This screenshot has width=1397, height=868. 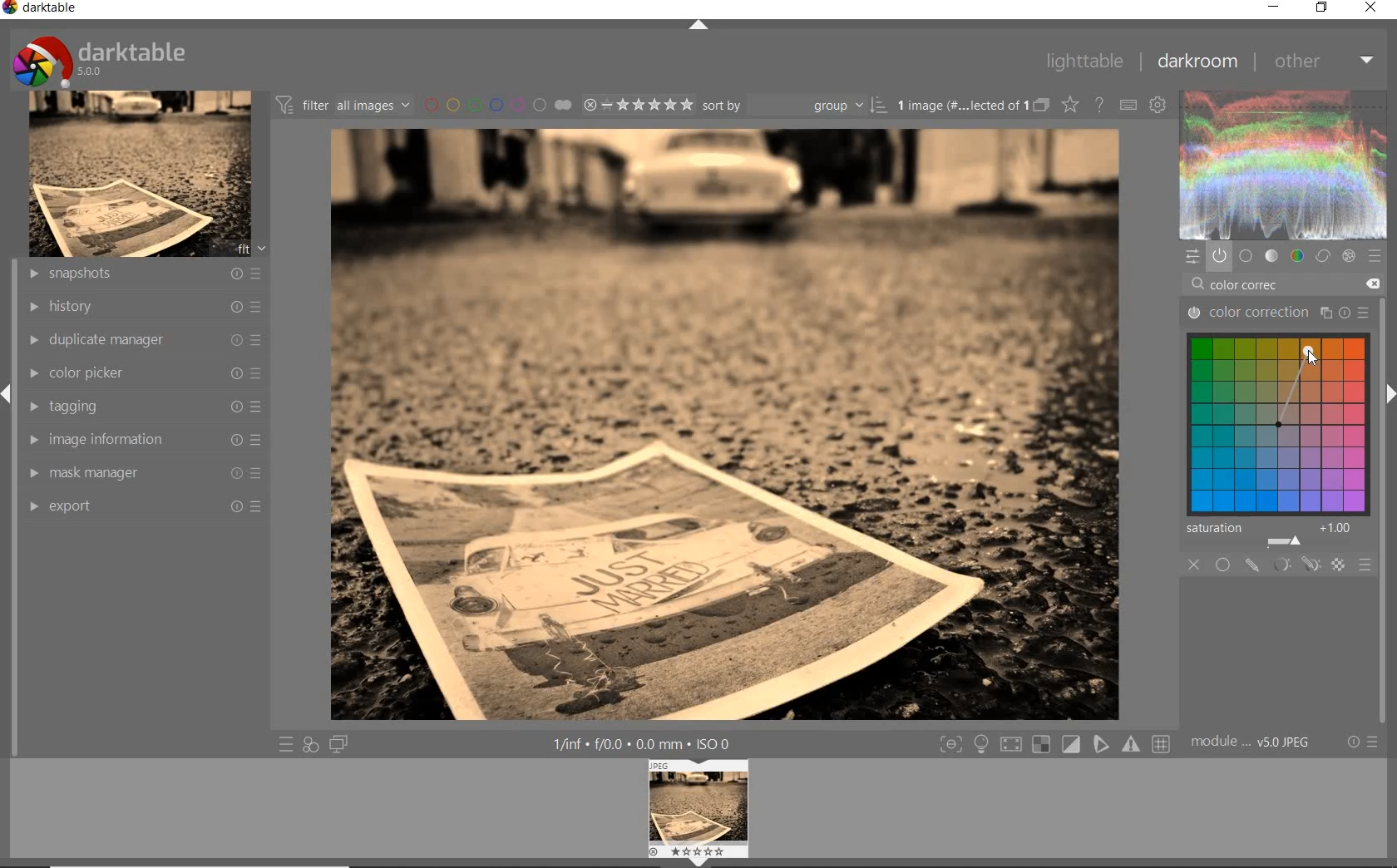 I want to click on export, so click(x=143, y=505).